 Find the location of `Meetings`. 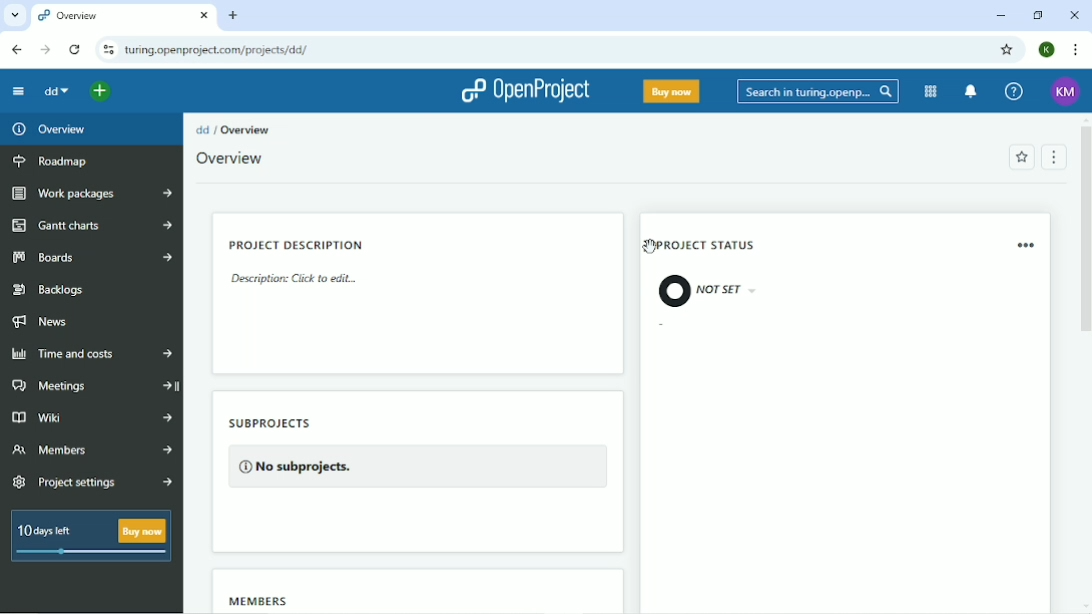

Meetings is located at coordinates (91, 387).